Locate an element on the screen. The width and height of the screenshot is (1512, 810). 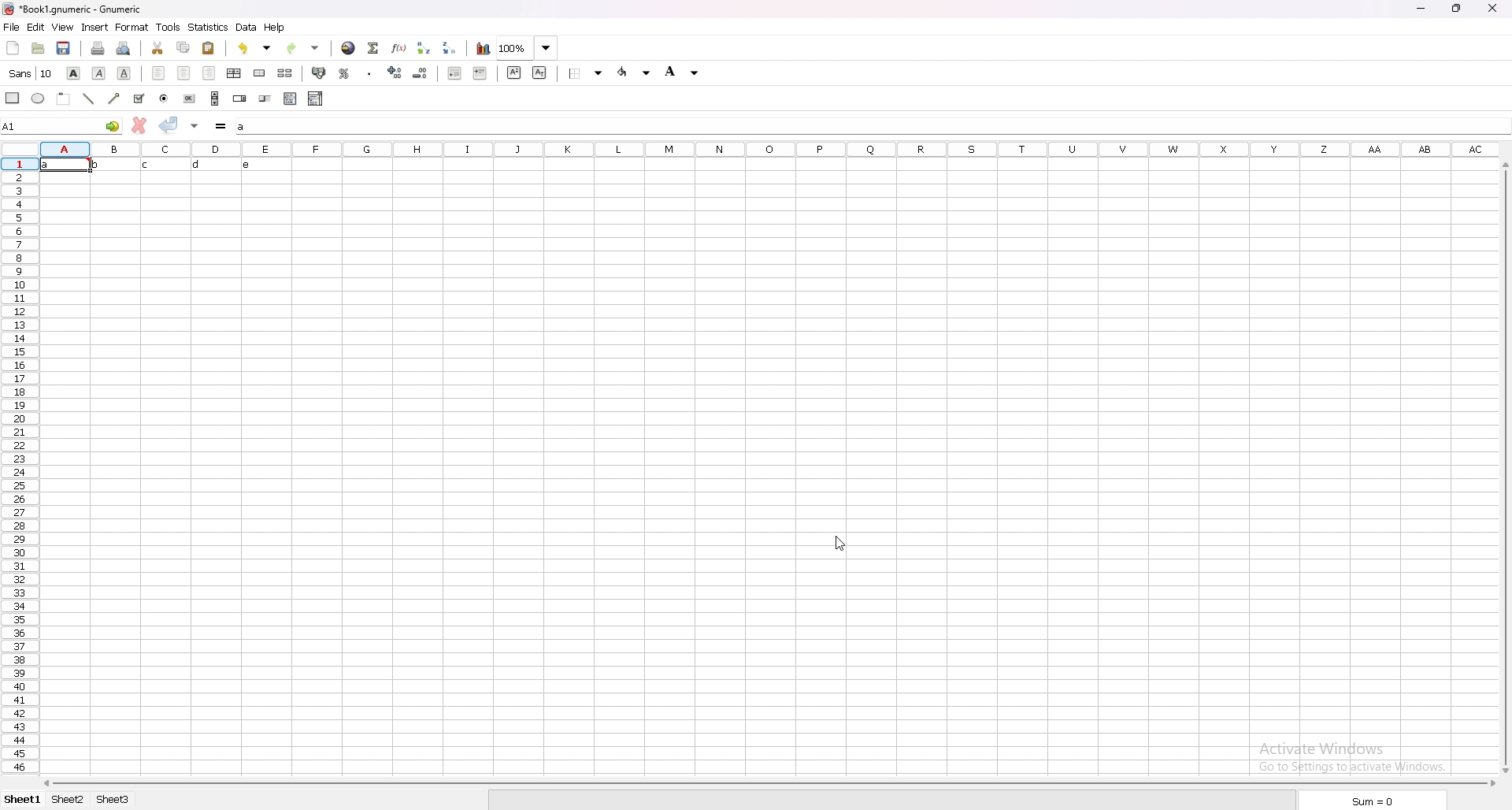
radio button is located at coordinates (164, 99).